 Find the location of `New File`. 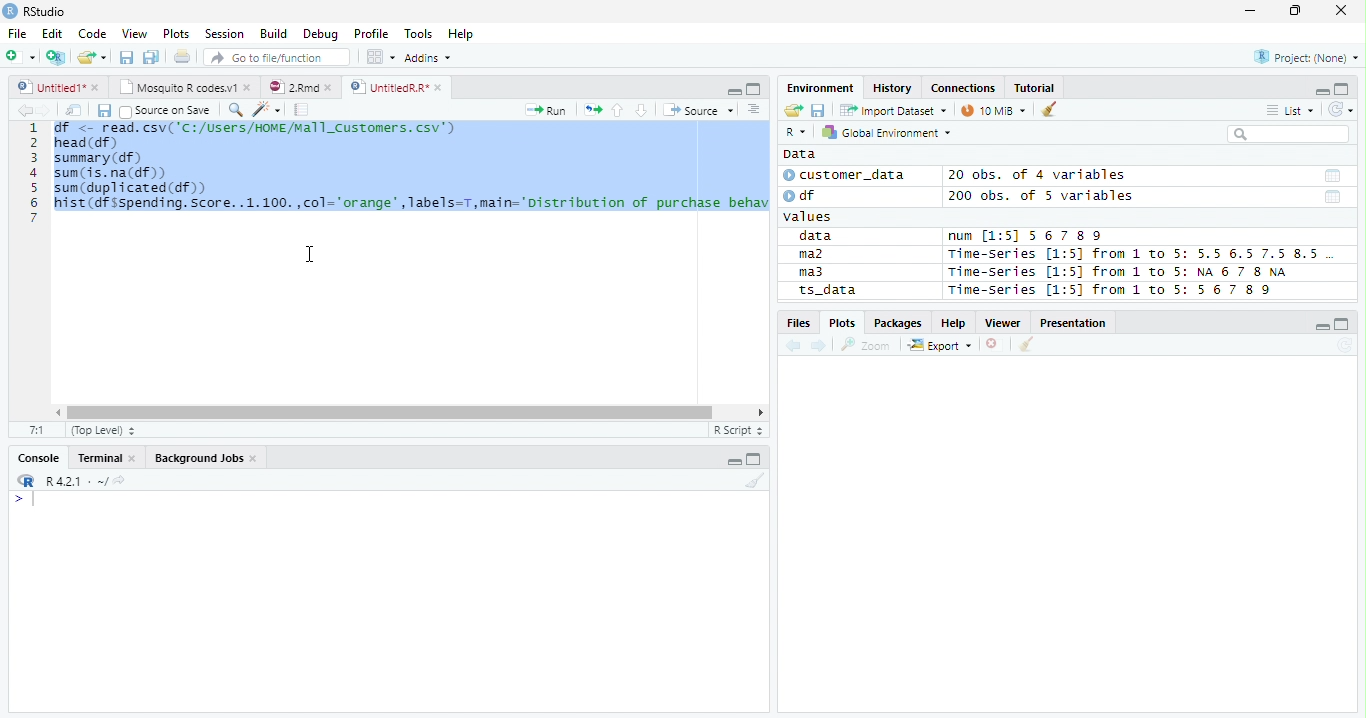

New File is located at coordinates (21, 56).